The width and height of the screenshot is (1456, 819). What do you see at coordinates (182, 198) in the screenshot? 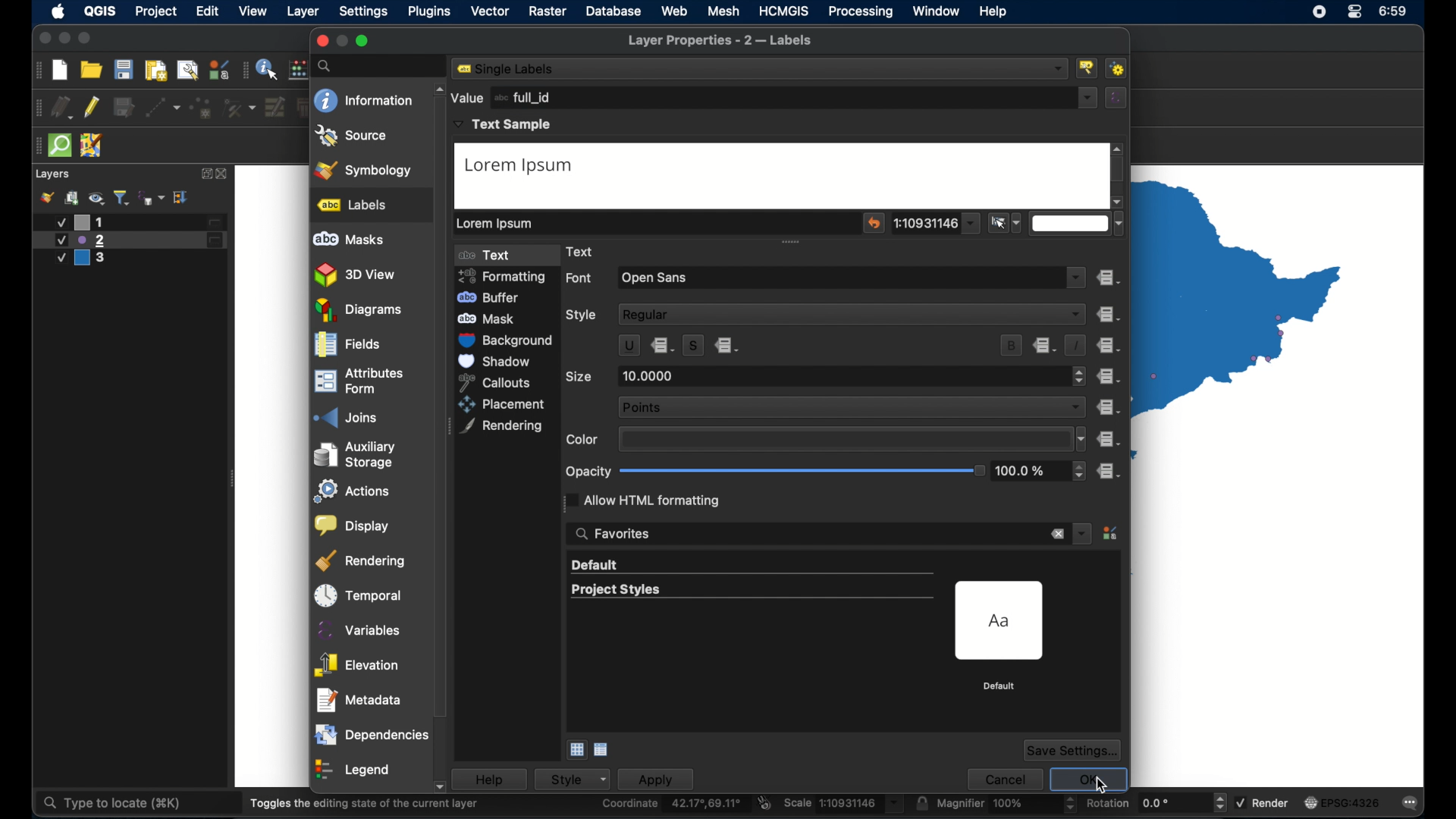
I see `expand` at bounding box center [182, 198].